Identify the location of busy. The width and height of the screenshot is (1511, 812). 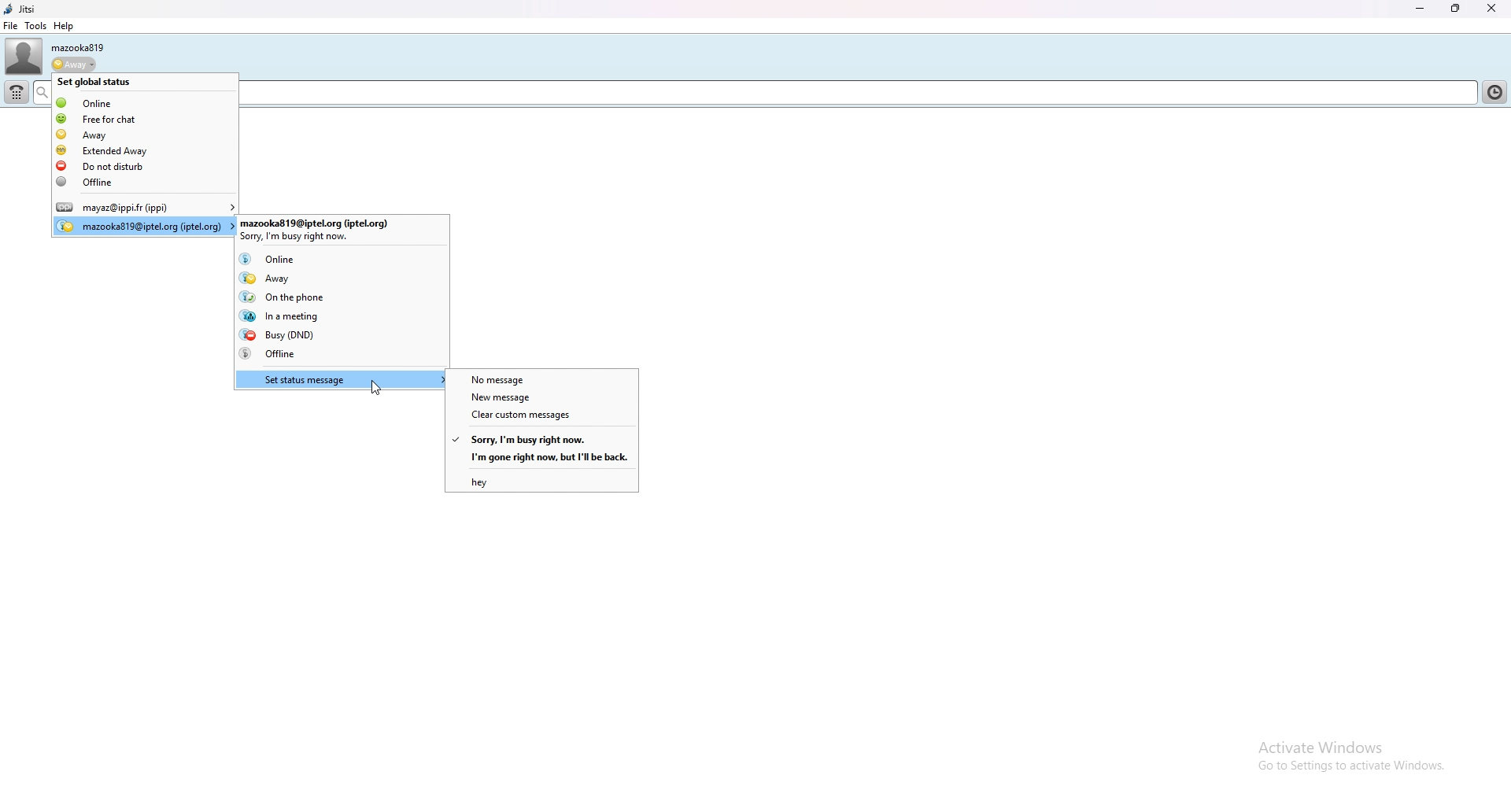
(341, 335).